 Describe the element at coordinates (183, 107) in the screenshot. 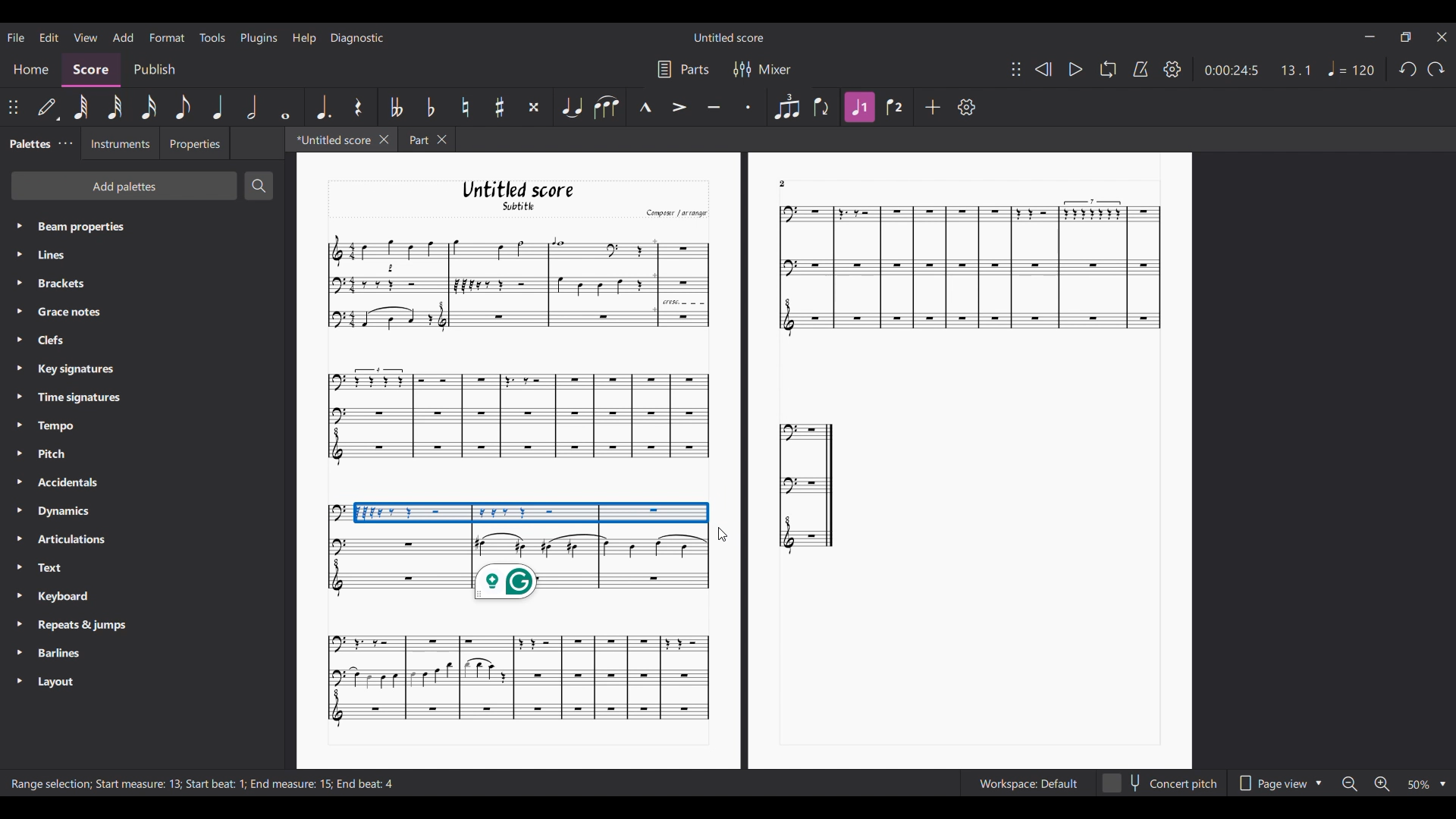

I see `8th note` at that location.